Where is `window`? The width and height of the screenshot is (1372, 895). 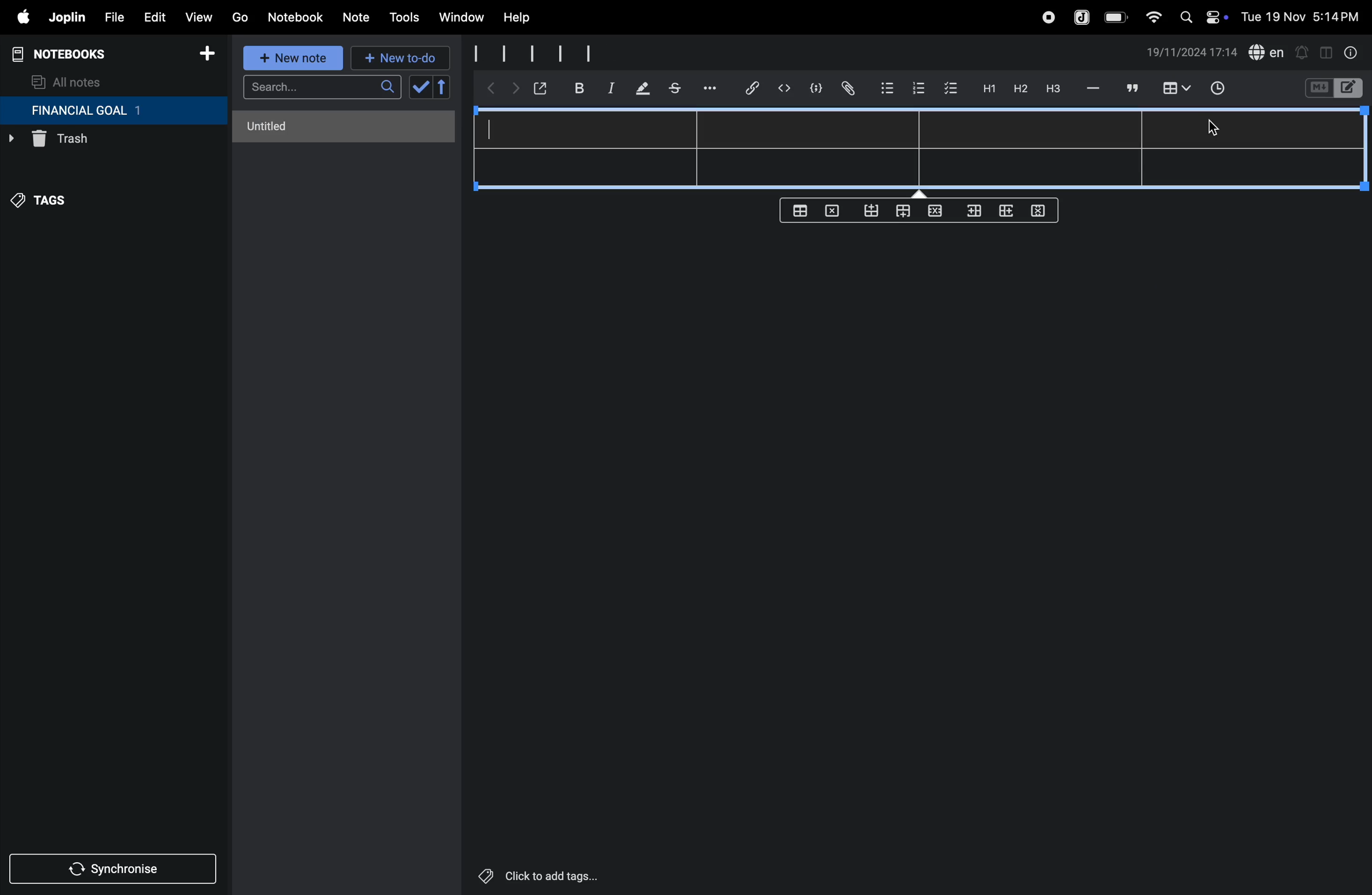
window is located at coordinates (460, 18).